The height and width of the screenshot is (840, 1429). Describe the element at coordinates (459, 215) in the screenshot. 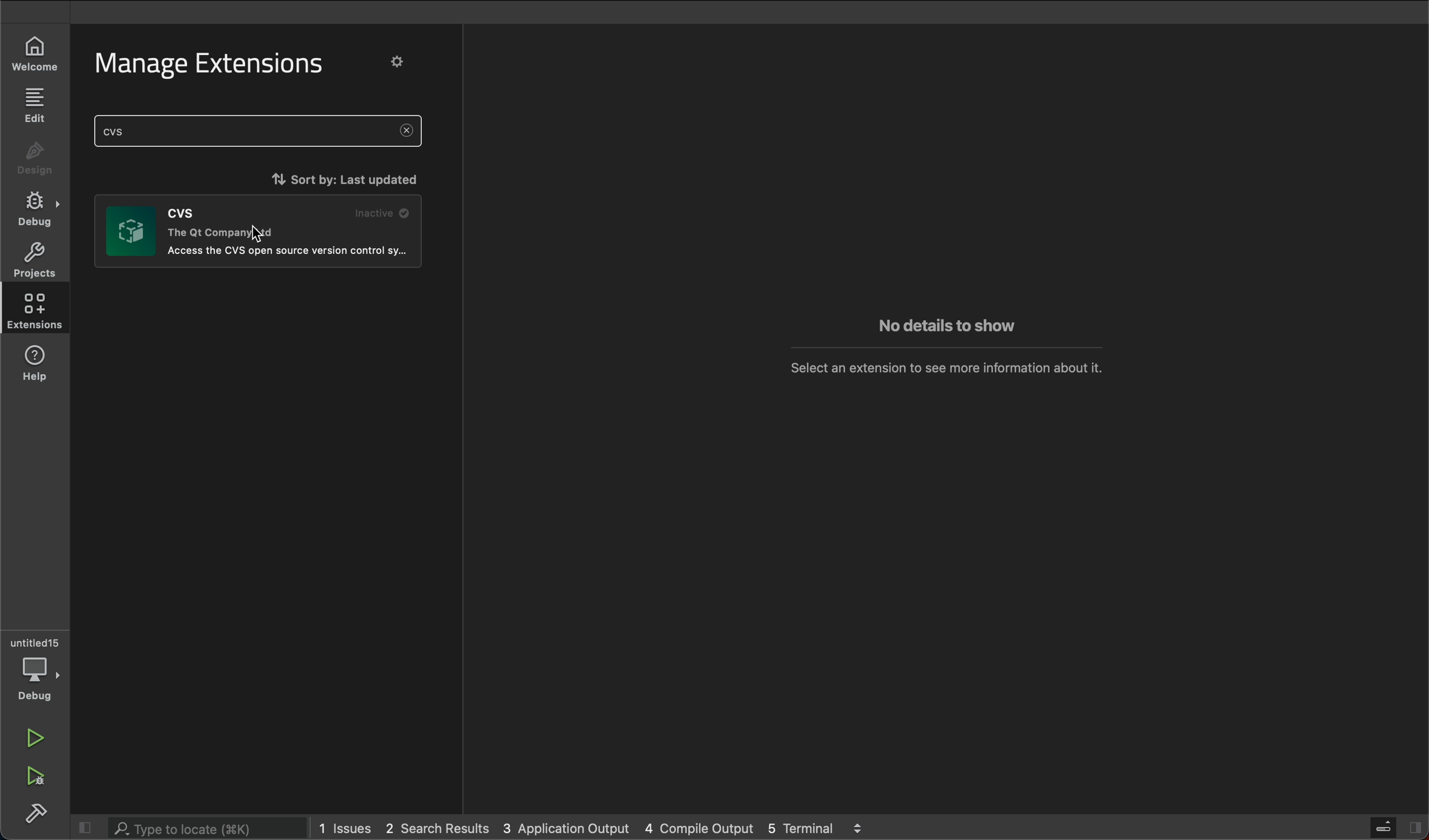

I see `scrollbar` at that location.